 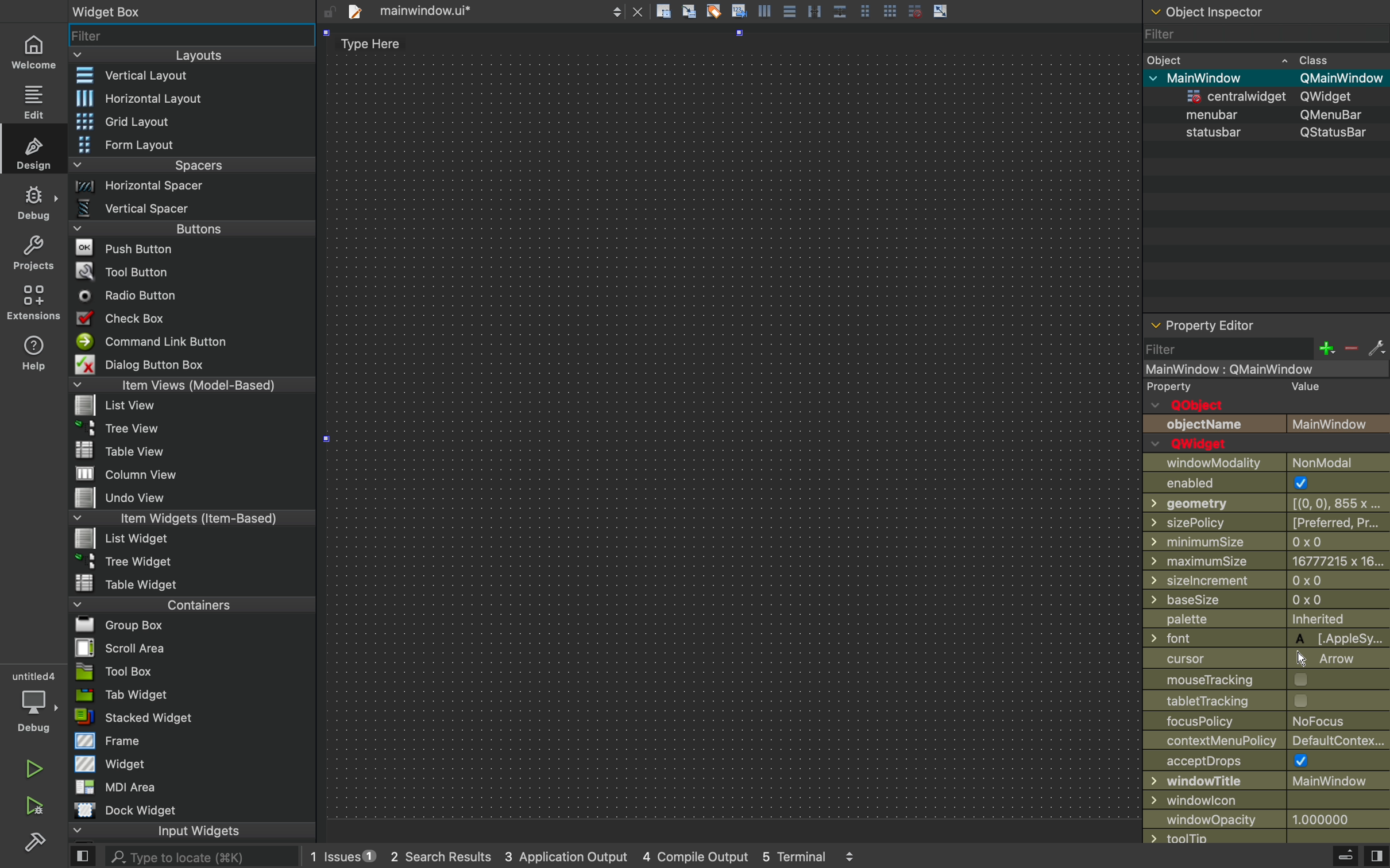 I want to click on objects, so click(x=1267, y=416).